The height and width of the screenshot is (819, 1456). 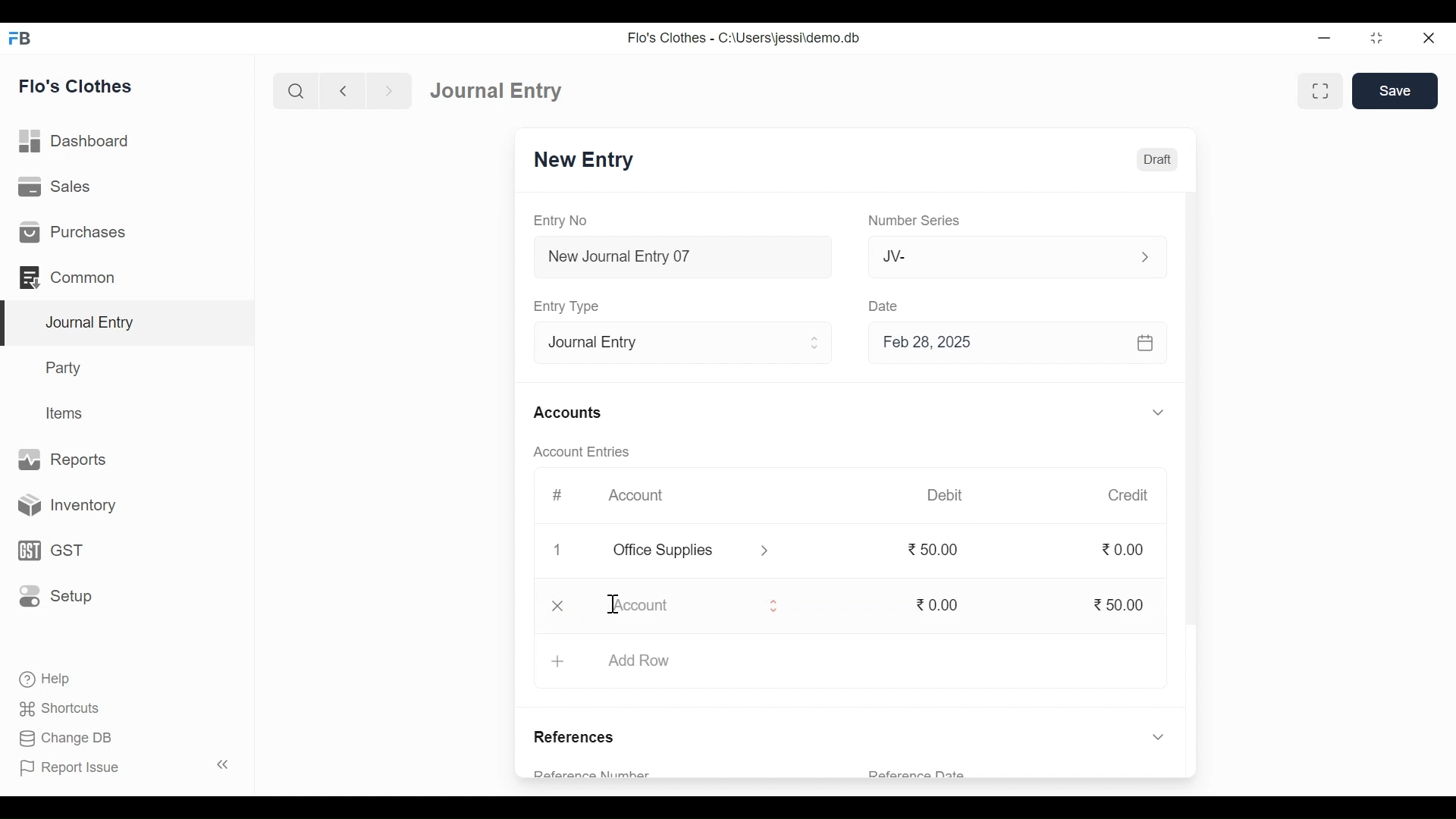 What do you see at coordinates (1119, 606) in the screenshot?
I see `50.00` at bounding box center [1119, 606].